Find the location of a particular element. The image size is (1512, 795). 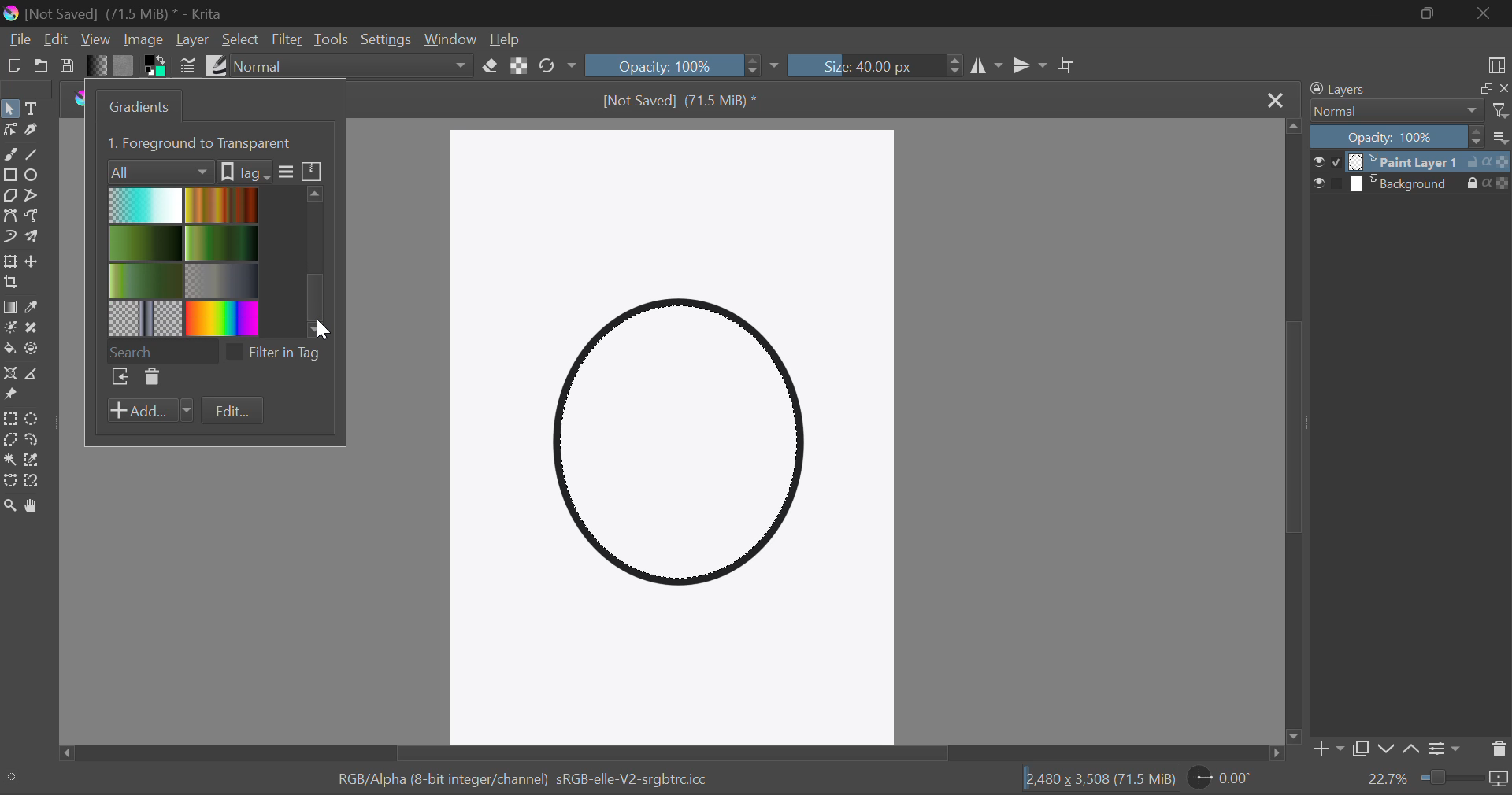

Brush Settings is located at coordinates (188, 67).